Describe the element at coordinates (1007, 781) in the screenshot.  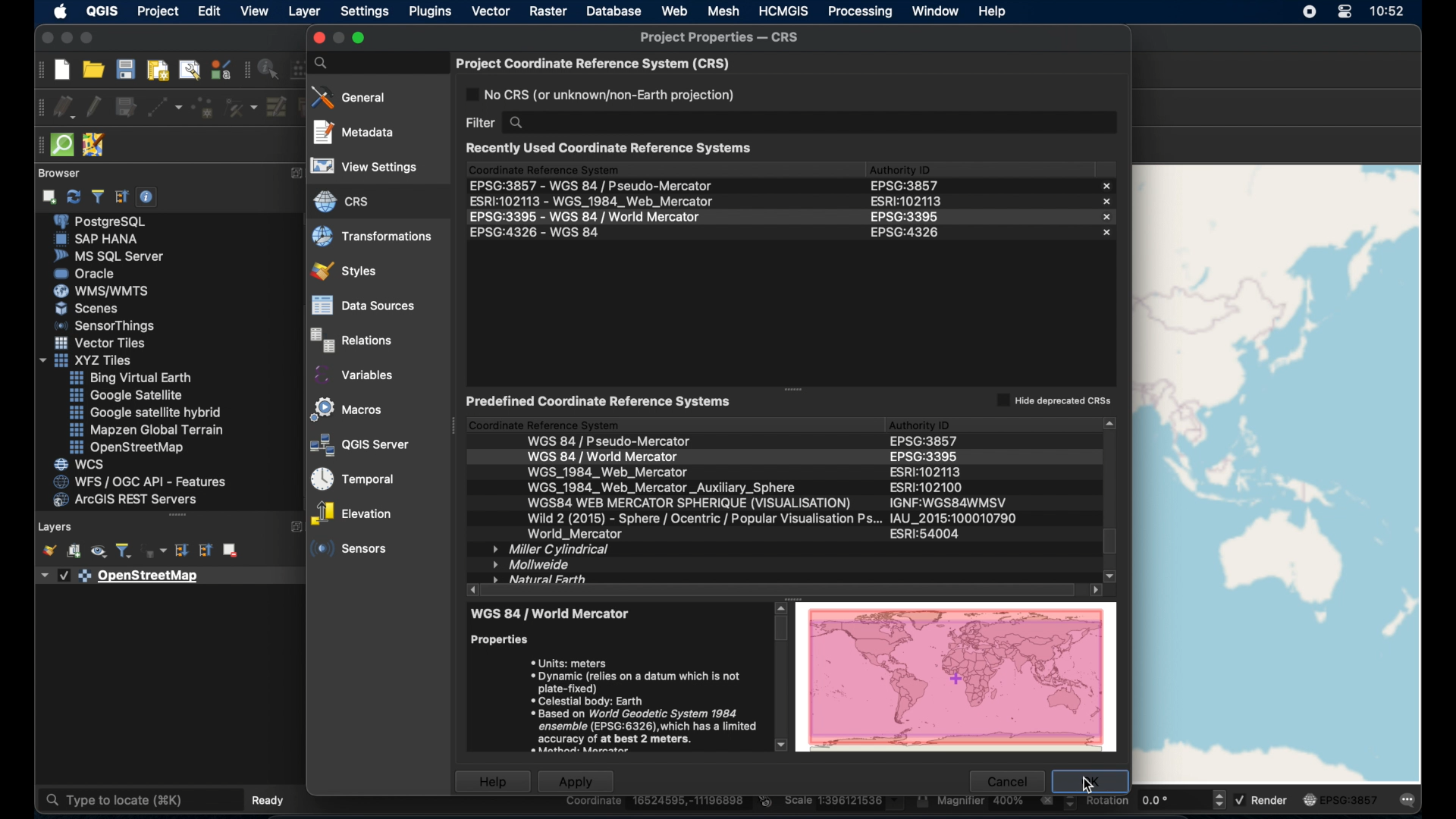
I see `cancel` at that location.